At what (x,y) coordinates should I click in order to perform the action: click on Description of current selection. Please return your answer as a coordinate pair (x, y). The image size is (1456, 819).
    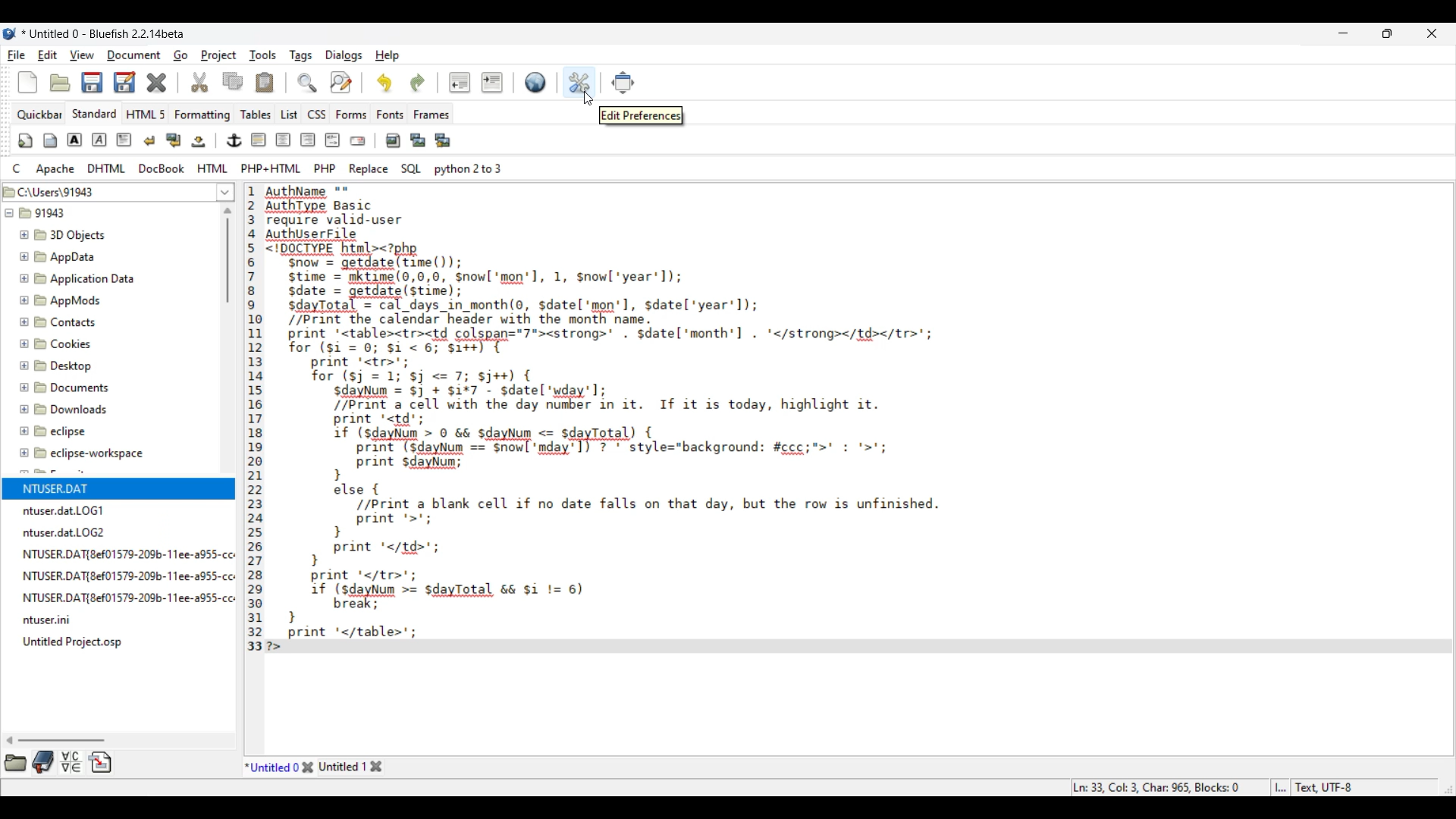
    Looking at the image, I should click on (641, 115).